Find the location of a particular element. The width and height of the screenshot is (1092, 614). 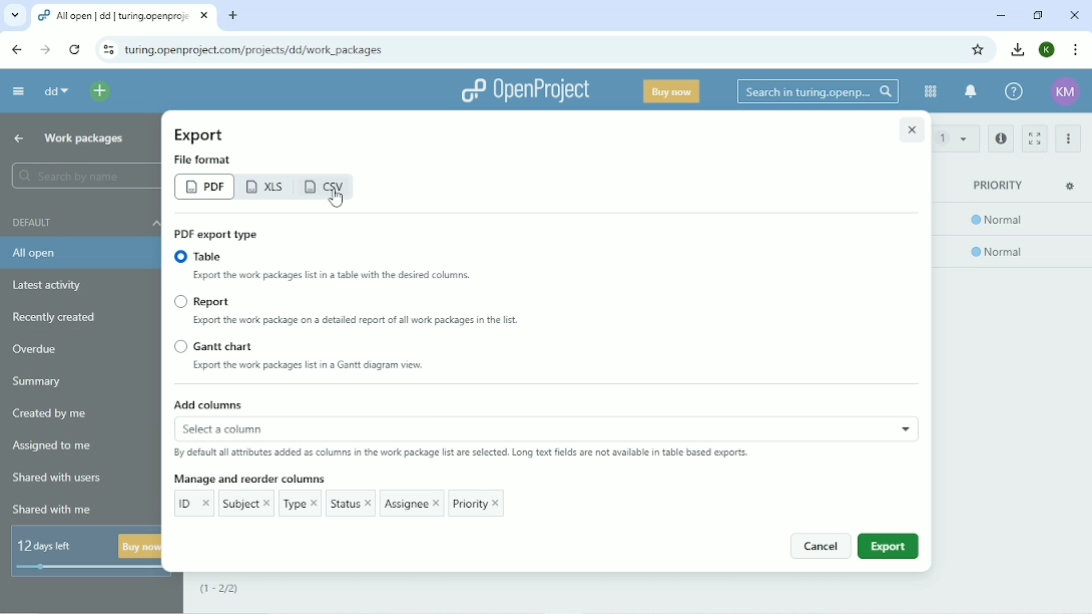

Bookmark this tab is located at coordinates (981, 49).